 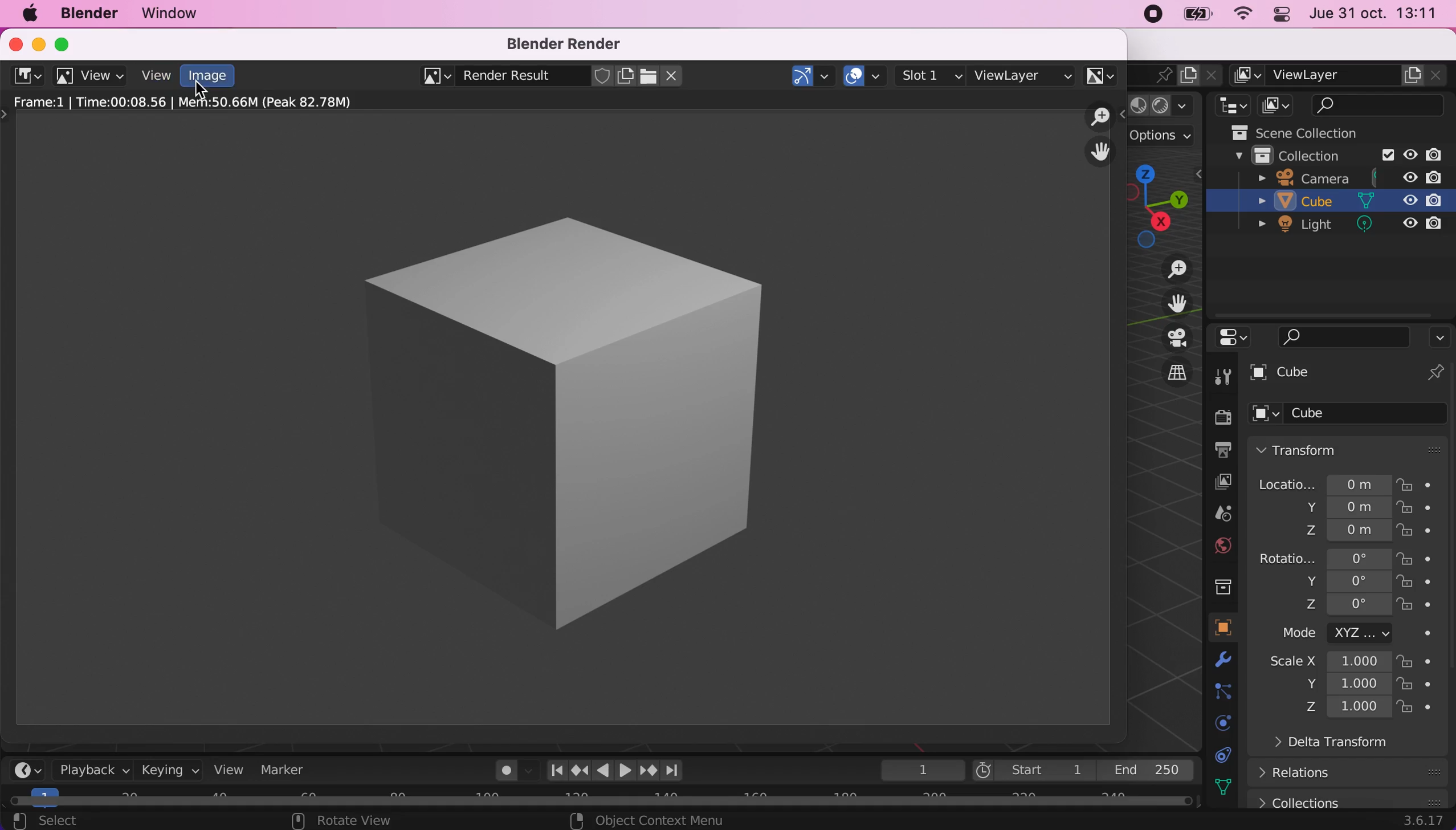 What do you see at coordinates (1333, 529) in the screenshot?
I see `location z` at bounding box center [1333, 529].